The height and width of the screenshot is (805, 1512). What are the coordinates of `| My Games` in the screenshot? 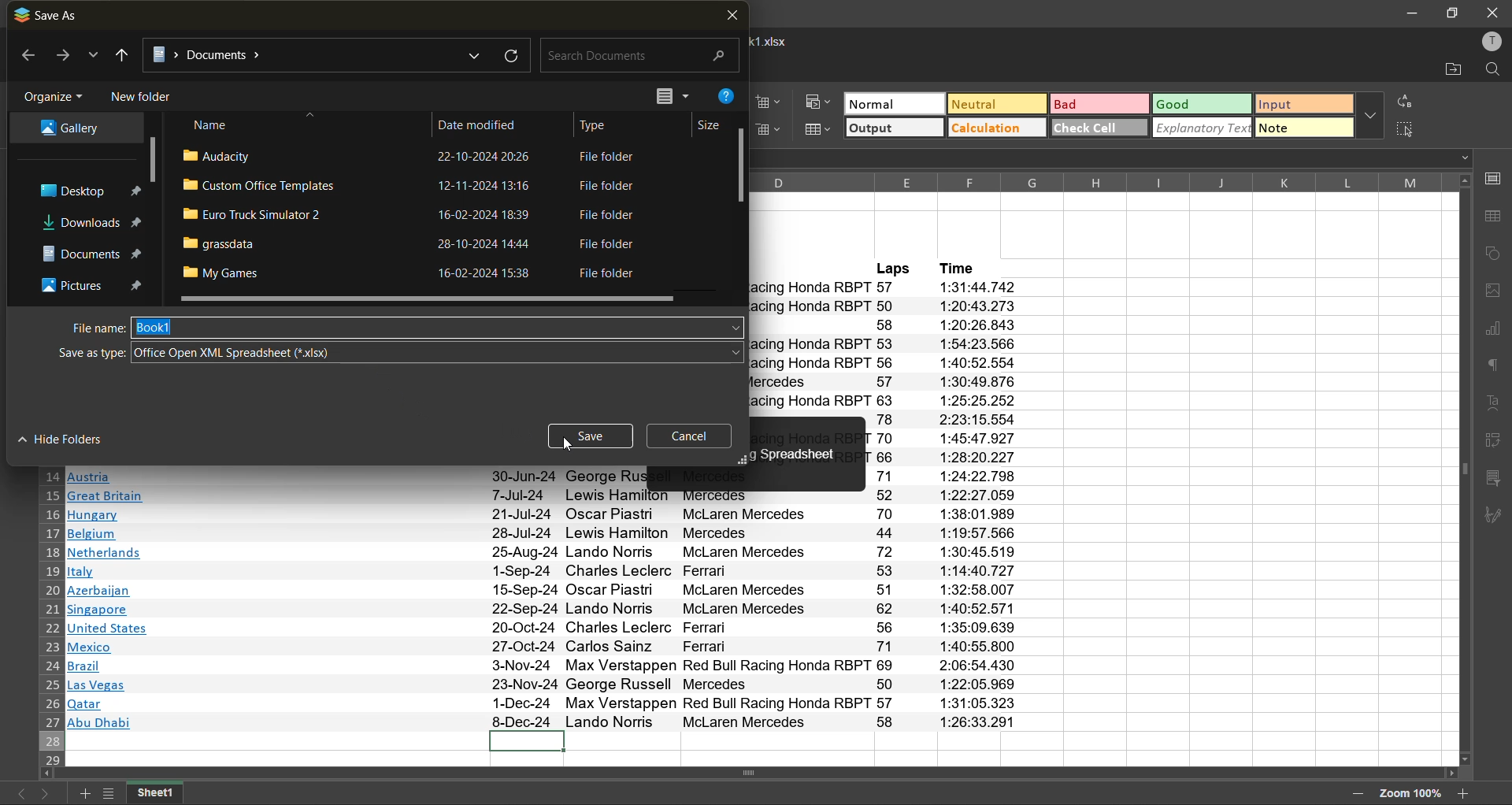 It's located at (235, 272).